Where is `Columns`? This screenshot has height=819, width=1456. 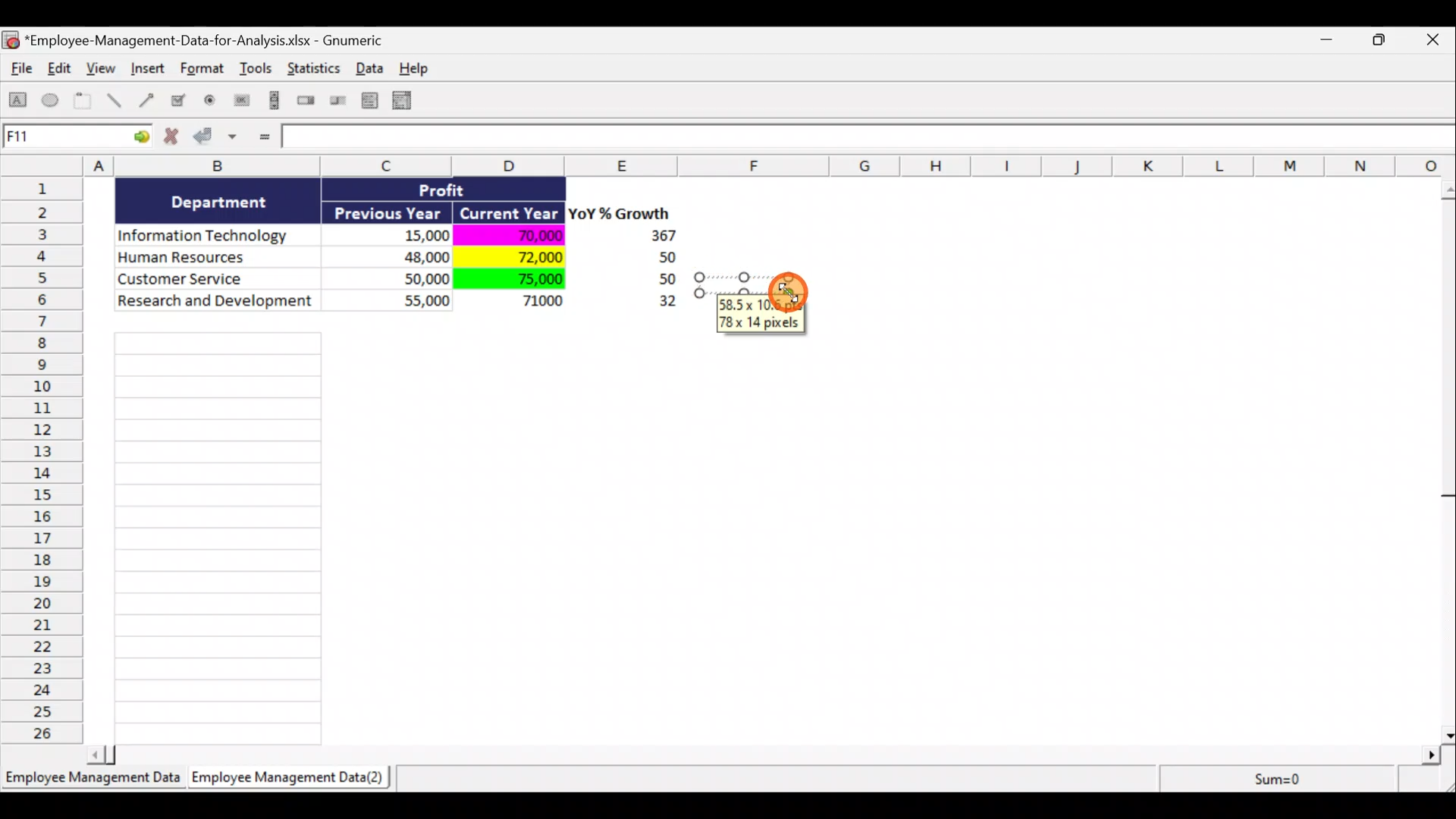 Columns is located at coordinates (733, 165).